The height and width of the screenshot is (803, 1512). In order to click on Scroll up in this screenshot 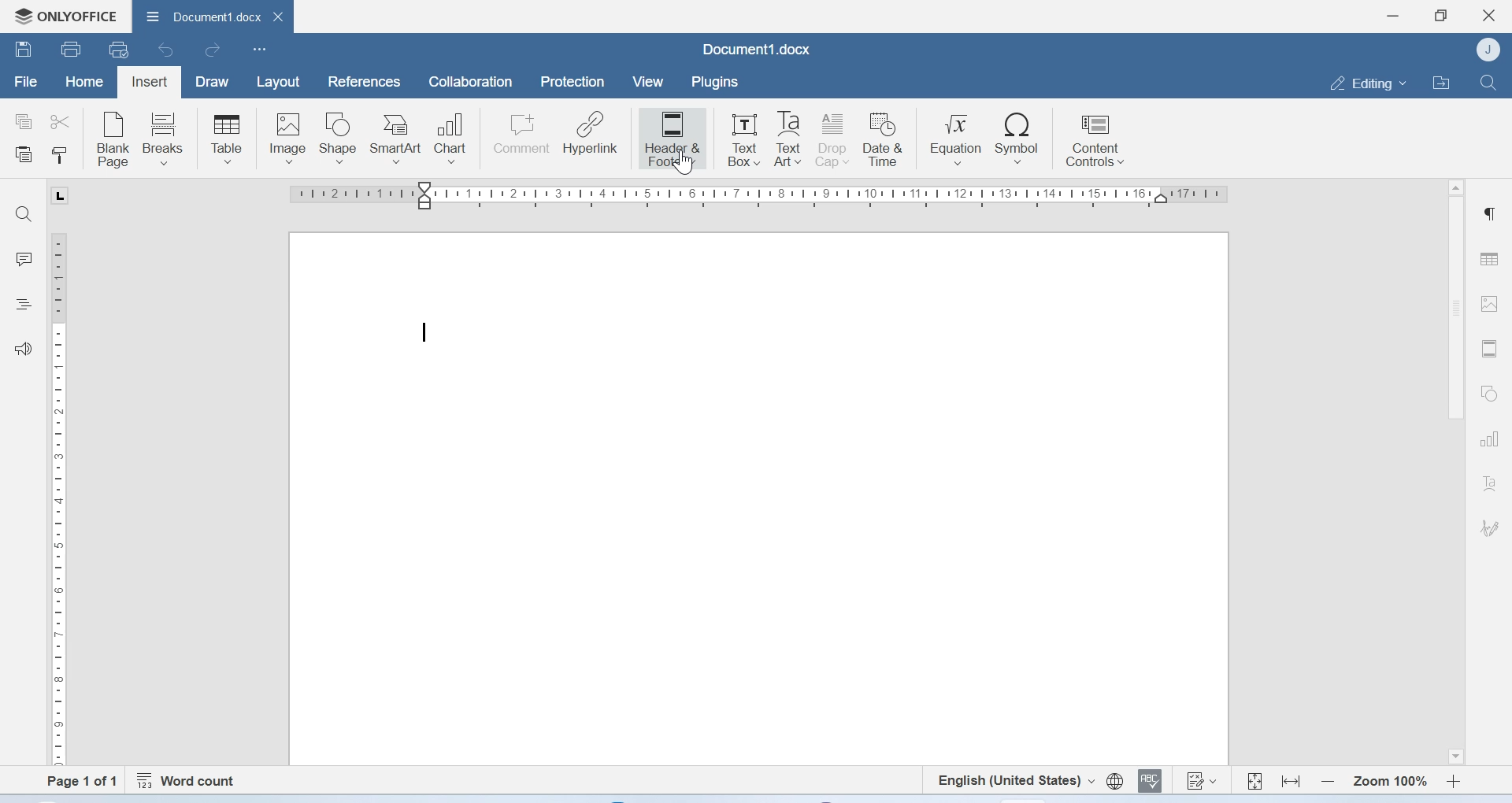, I will do `click(1455, 187)`.